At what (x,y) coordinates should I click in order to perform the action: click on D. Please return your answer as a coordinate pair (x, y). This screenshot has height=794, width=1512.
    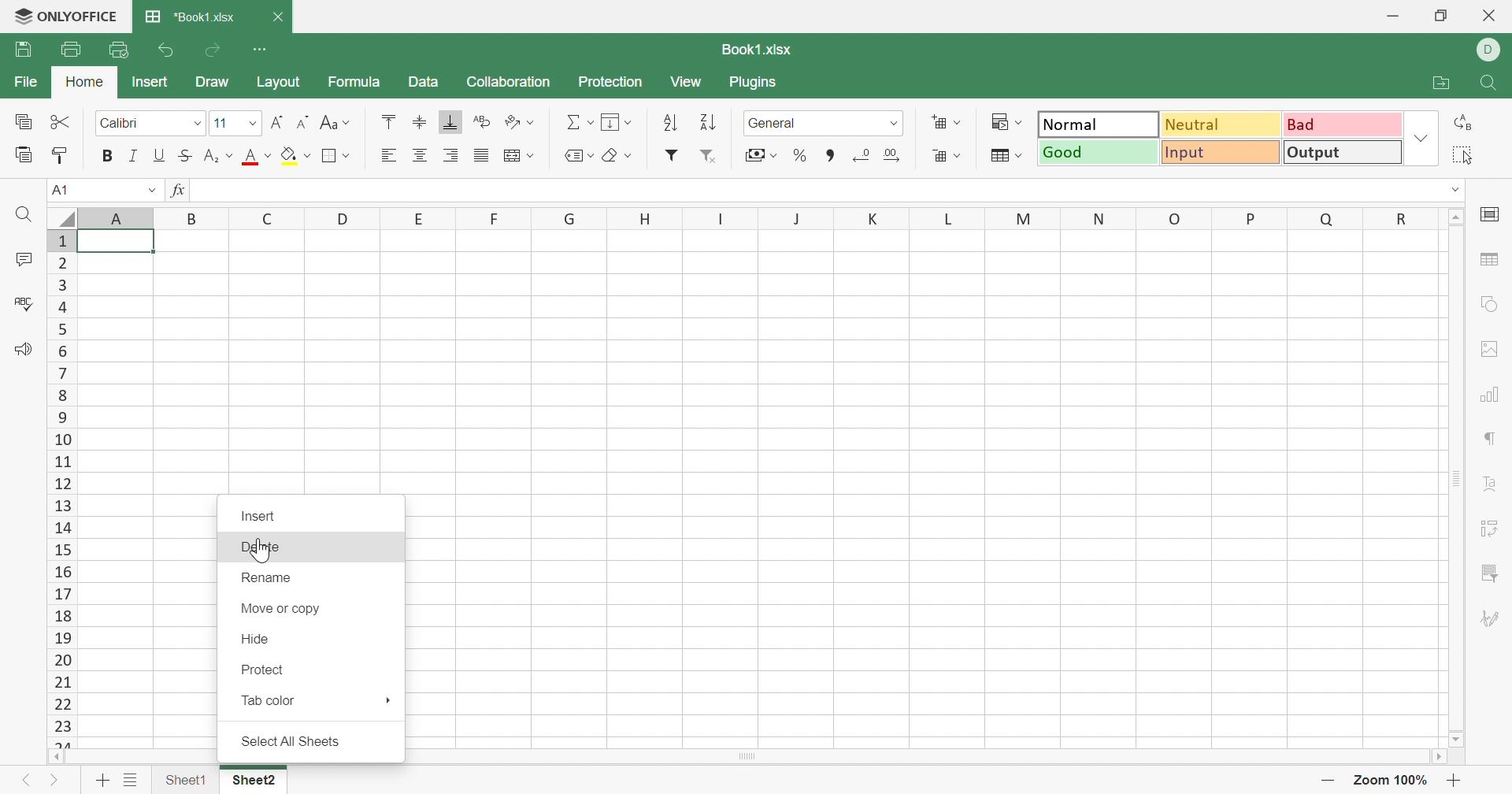
    Looking at the image, I should click on (1493, 50).